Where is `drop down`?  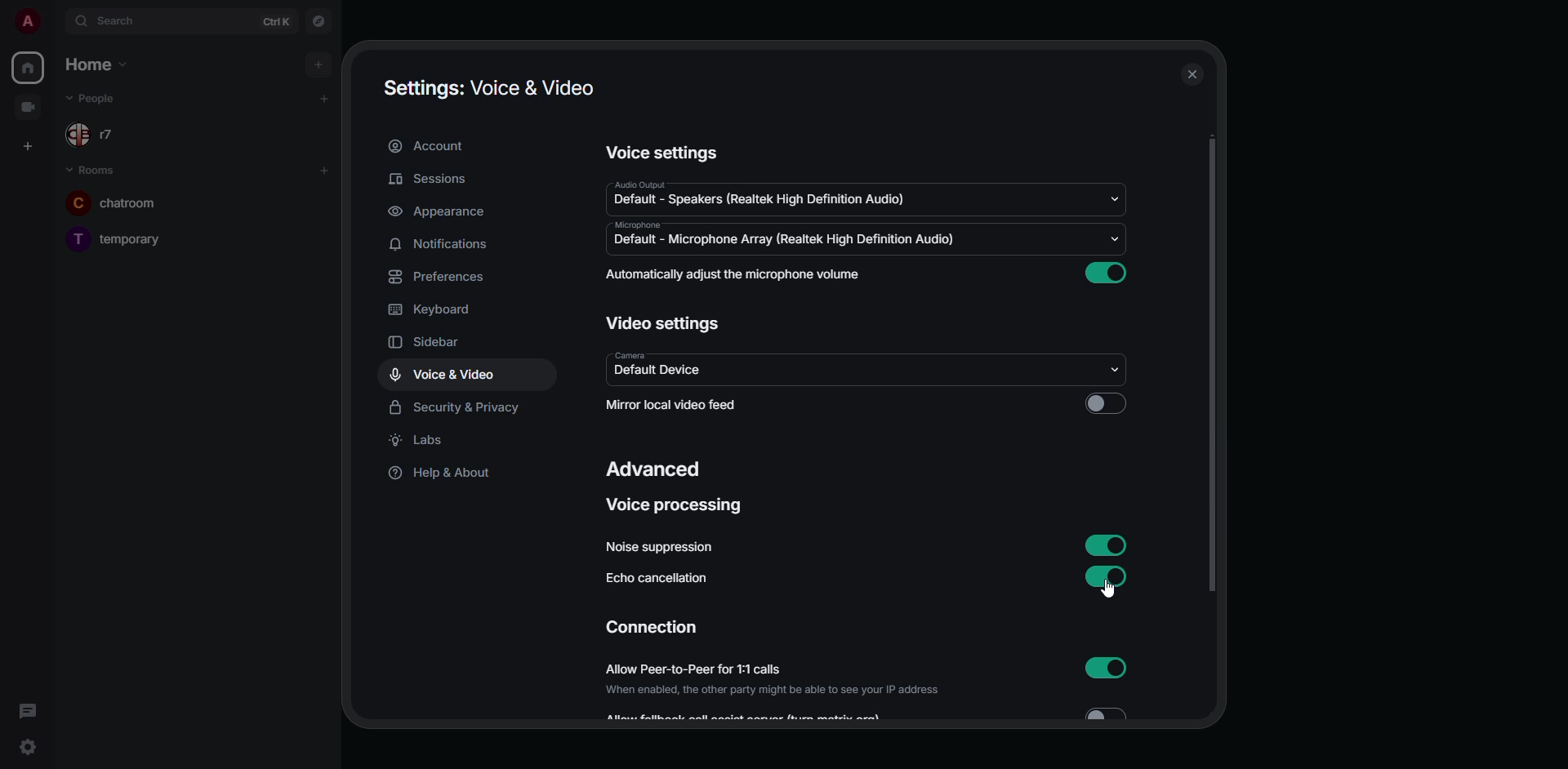
drop down is located at coordinates (1114, 200).